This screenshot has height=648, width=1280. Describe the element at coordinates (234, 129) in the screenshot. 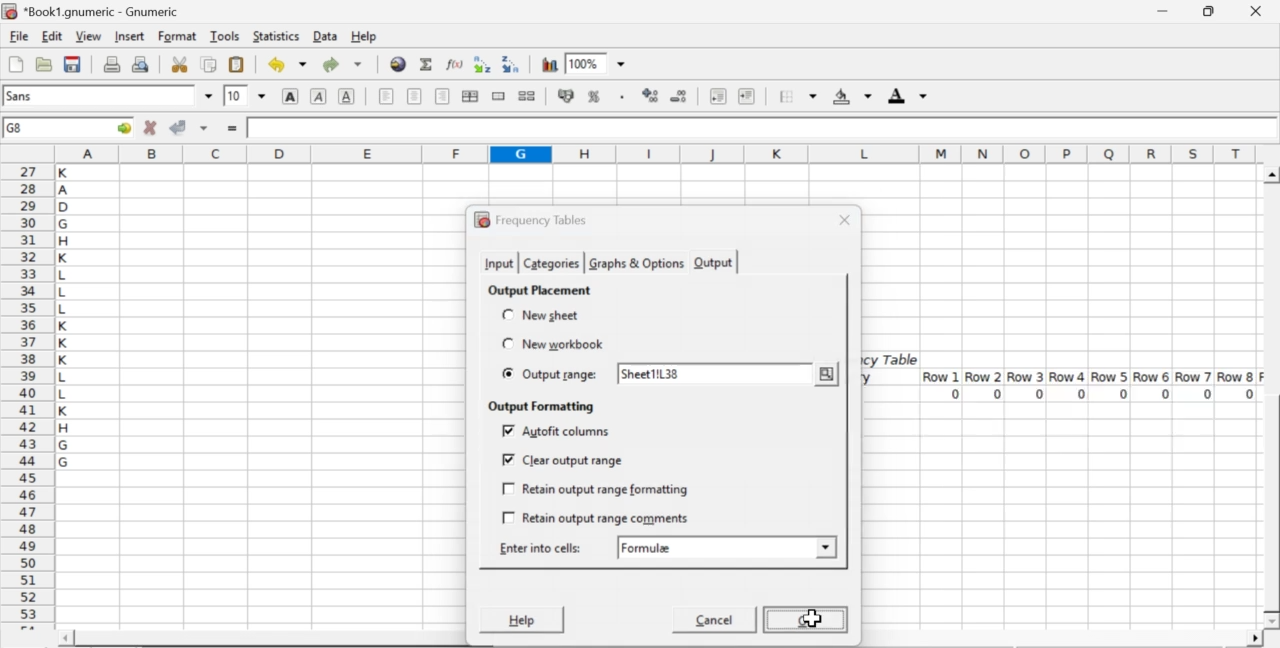

I see `enter formula` at that location.